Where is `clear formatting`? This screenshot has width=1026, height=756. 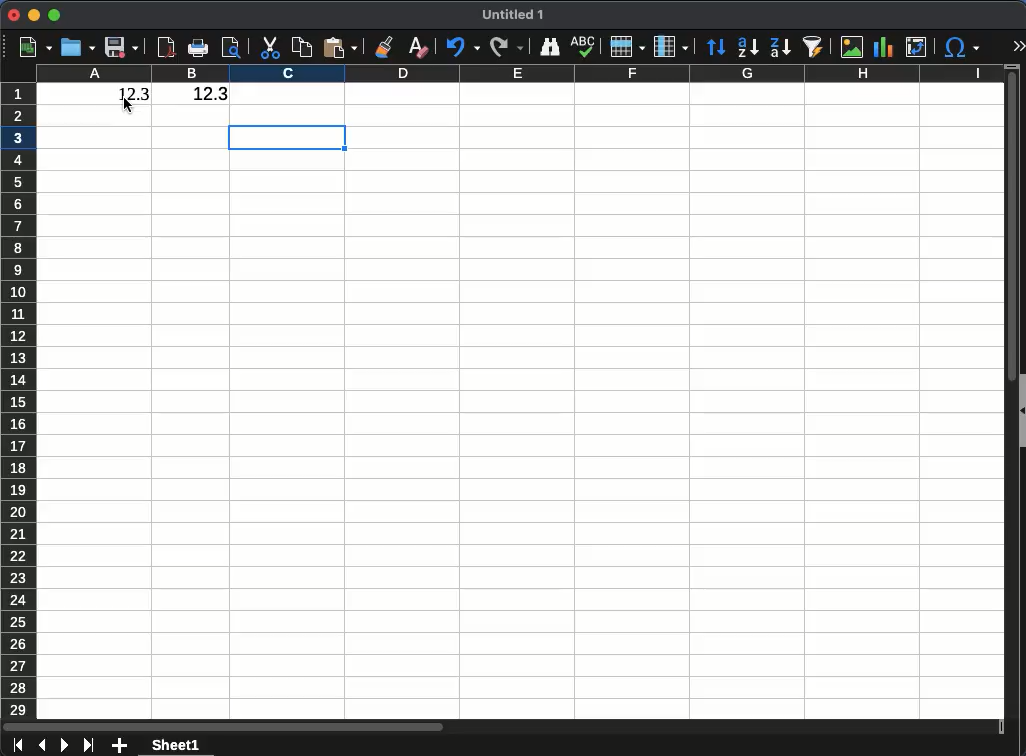
clear formatting is located at coordinates (417, 50).